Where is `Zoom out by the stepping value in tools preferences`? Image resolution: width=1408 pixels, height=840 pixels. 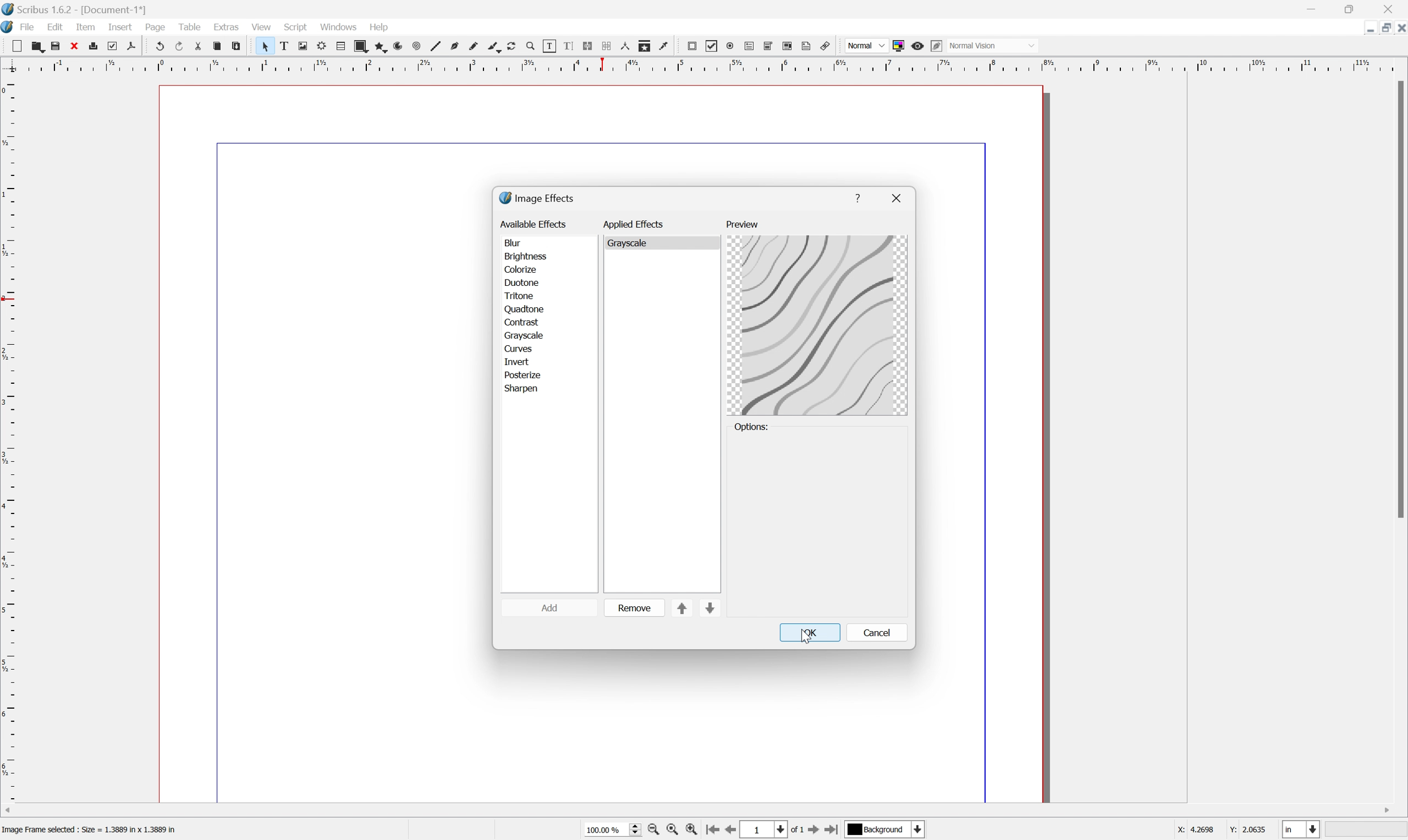 Zoom out by the stepping value in tools preferences is located at coordinates (653, 832).